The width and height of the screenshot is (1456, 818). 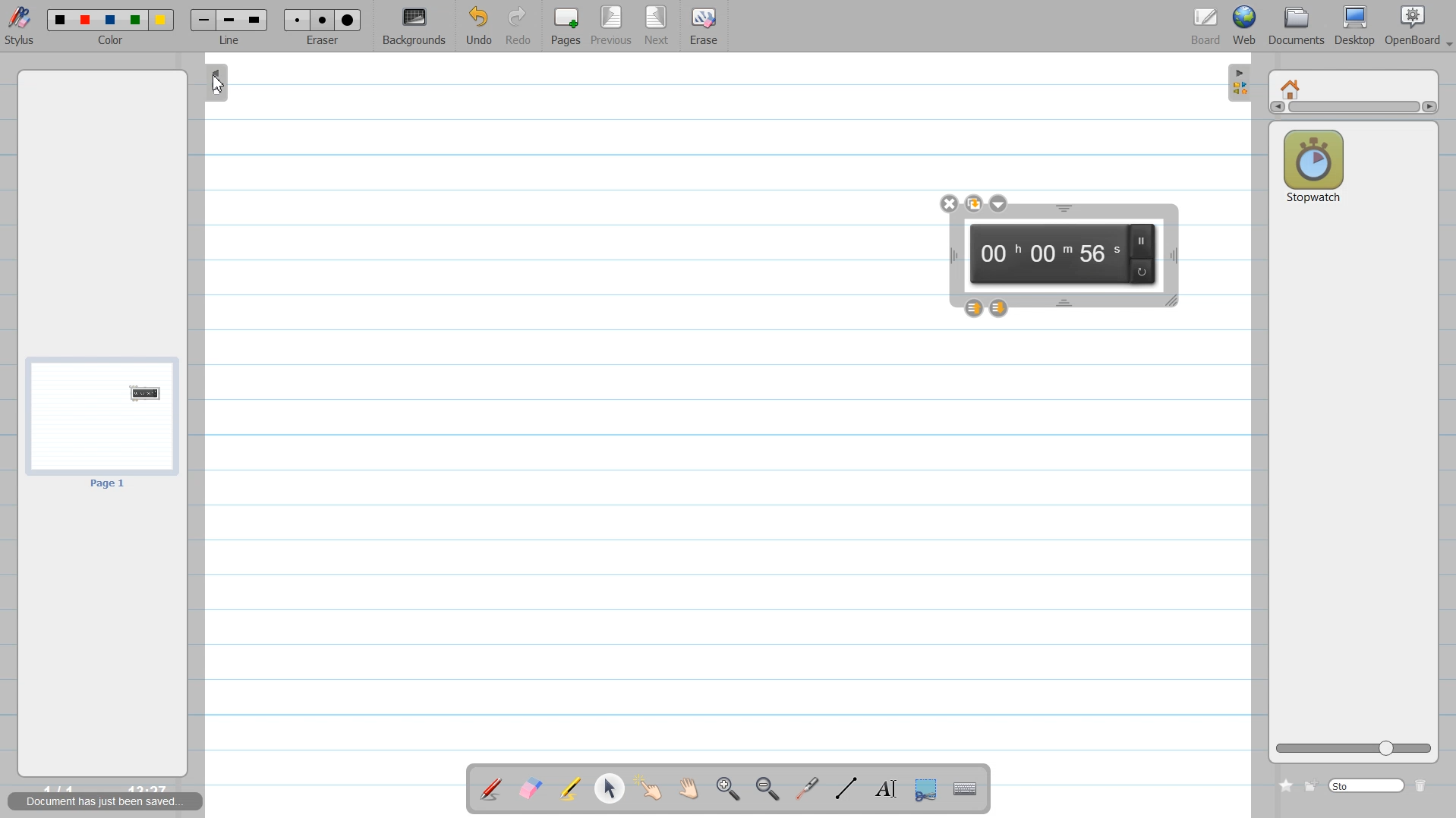 What do you see at coordinates (809, 790) in the screenshot?
I see `Virtual laser pointer` at bounding box center [809, 790].